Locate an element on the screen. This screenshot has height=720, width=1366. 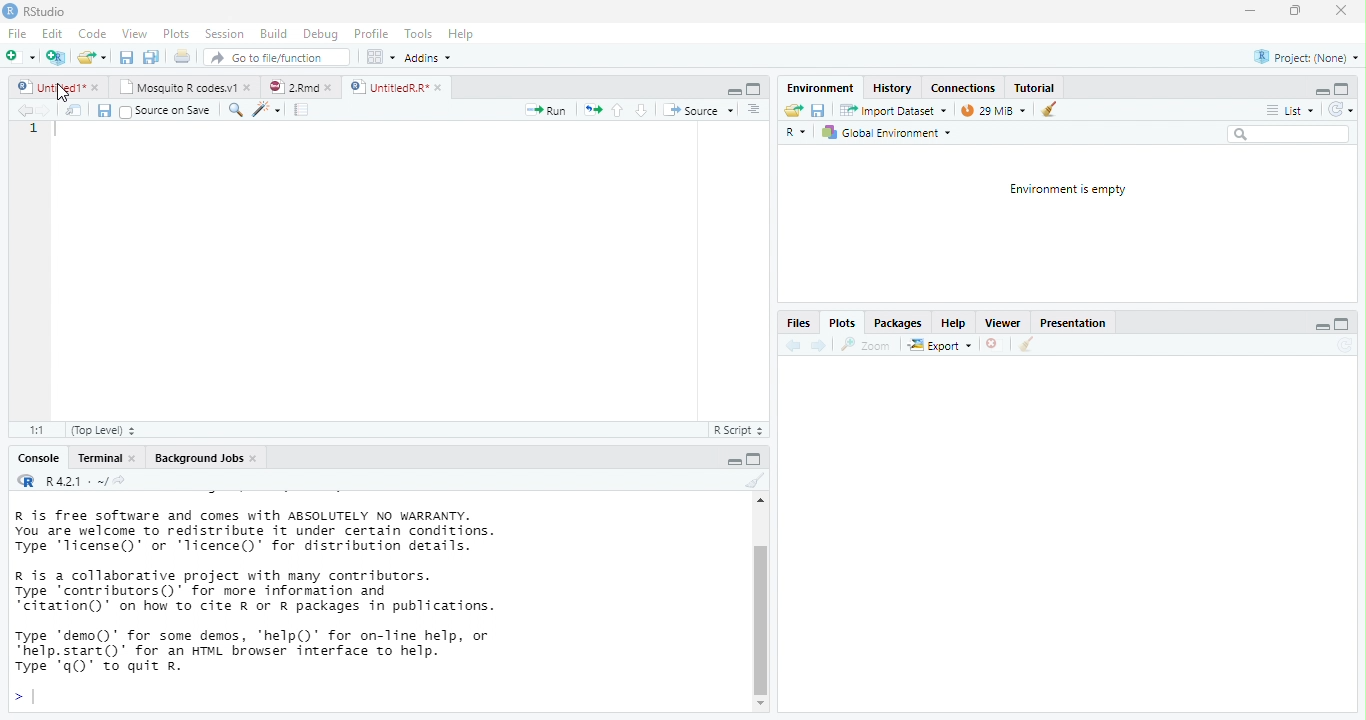
Edit is located at coordinates (52, 33).